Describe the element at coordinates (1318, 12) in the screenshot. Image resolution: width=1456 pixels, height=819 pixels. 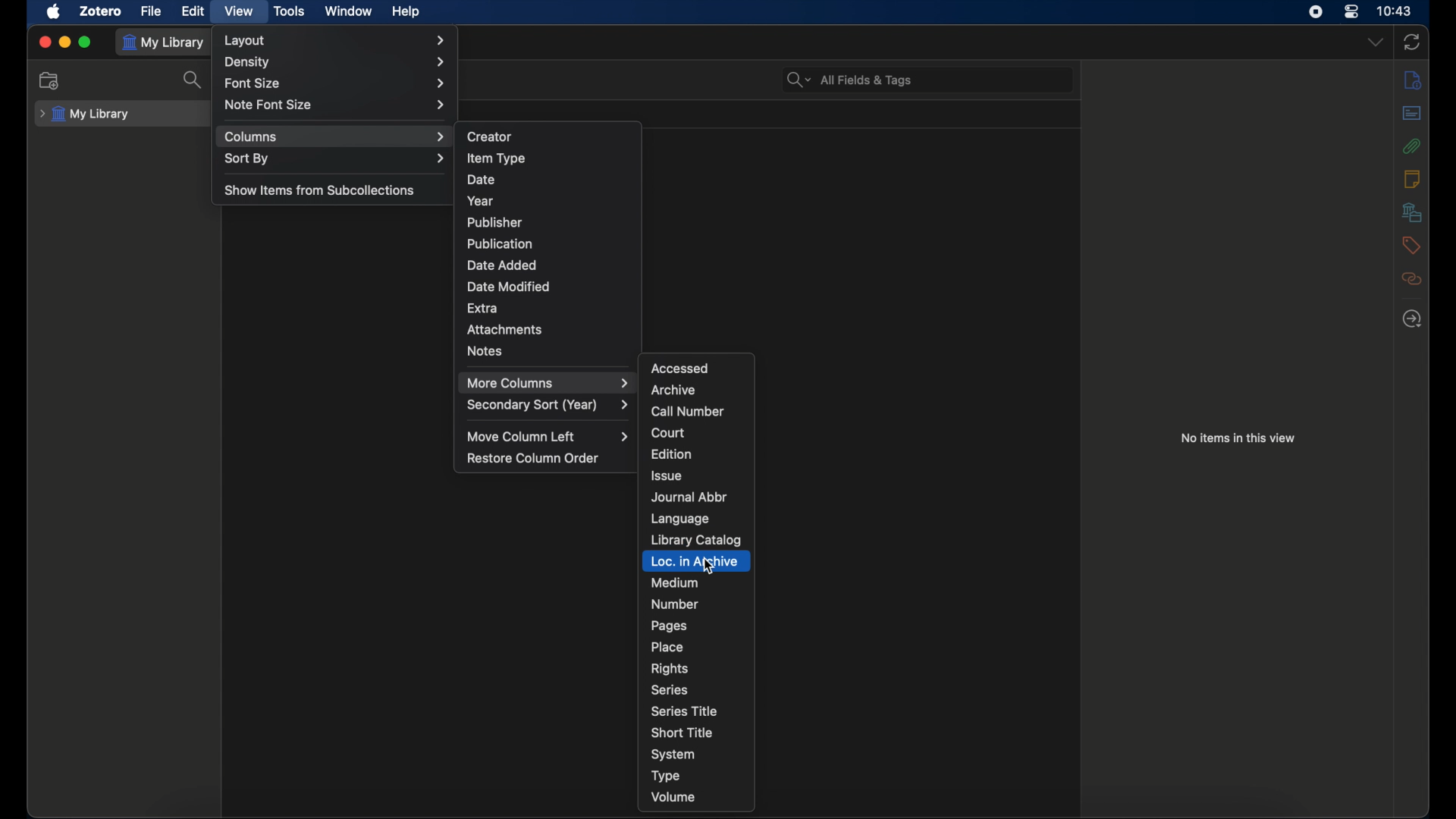
I see `screen recorder` at that location.